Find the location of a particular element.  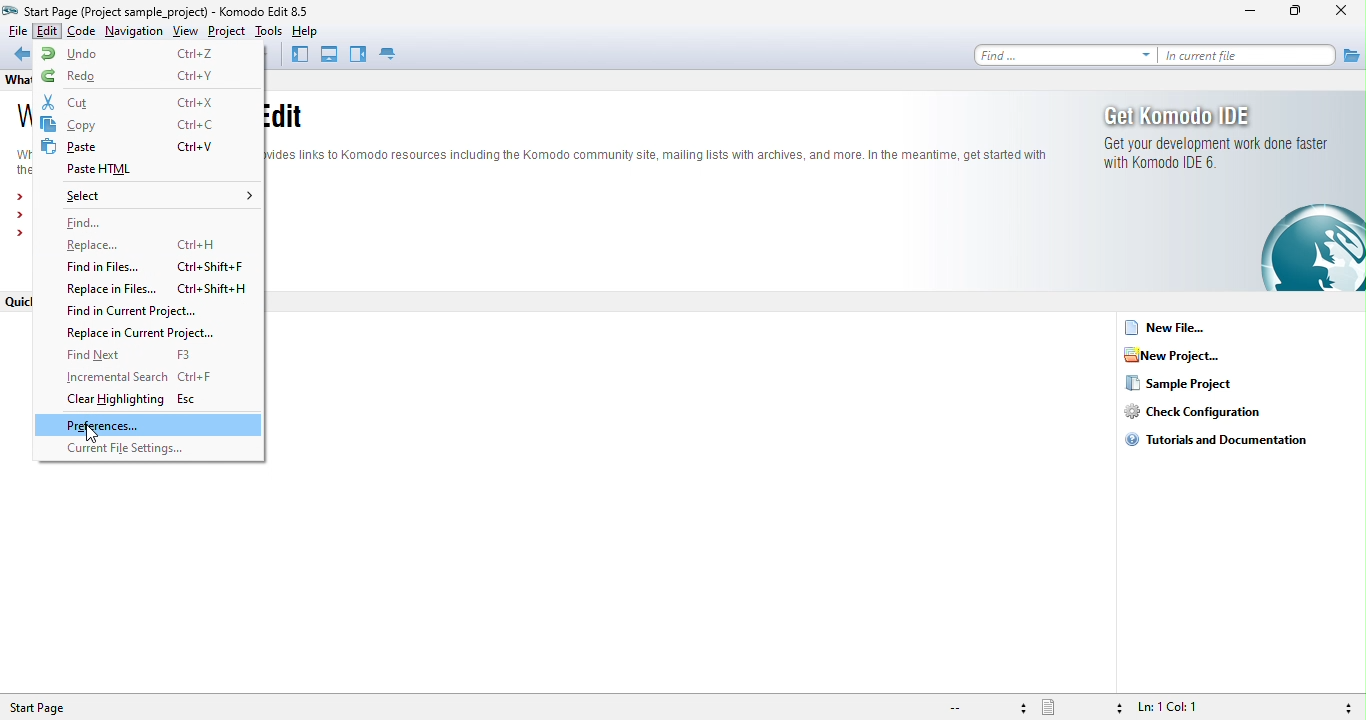

project is located at coordinates (227, 31).